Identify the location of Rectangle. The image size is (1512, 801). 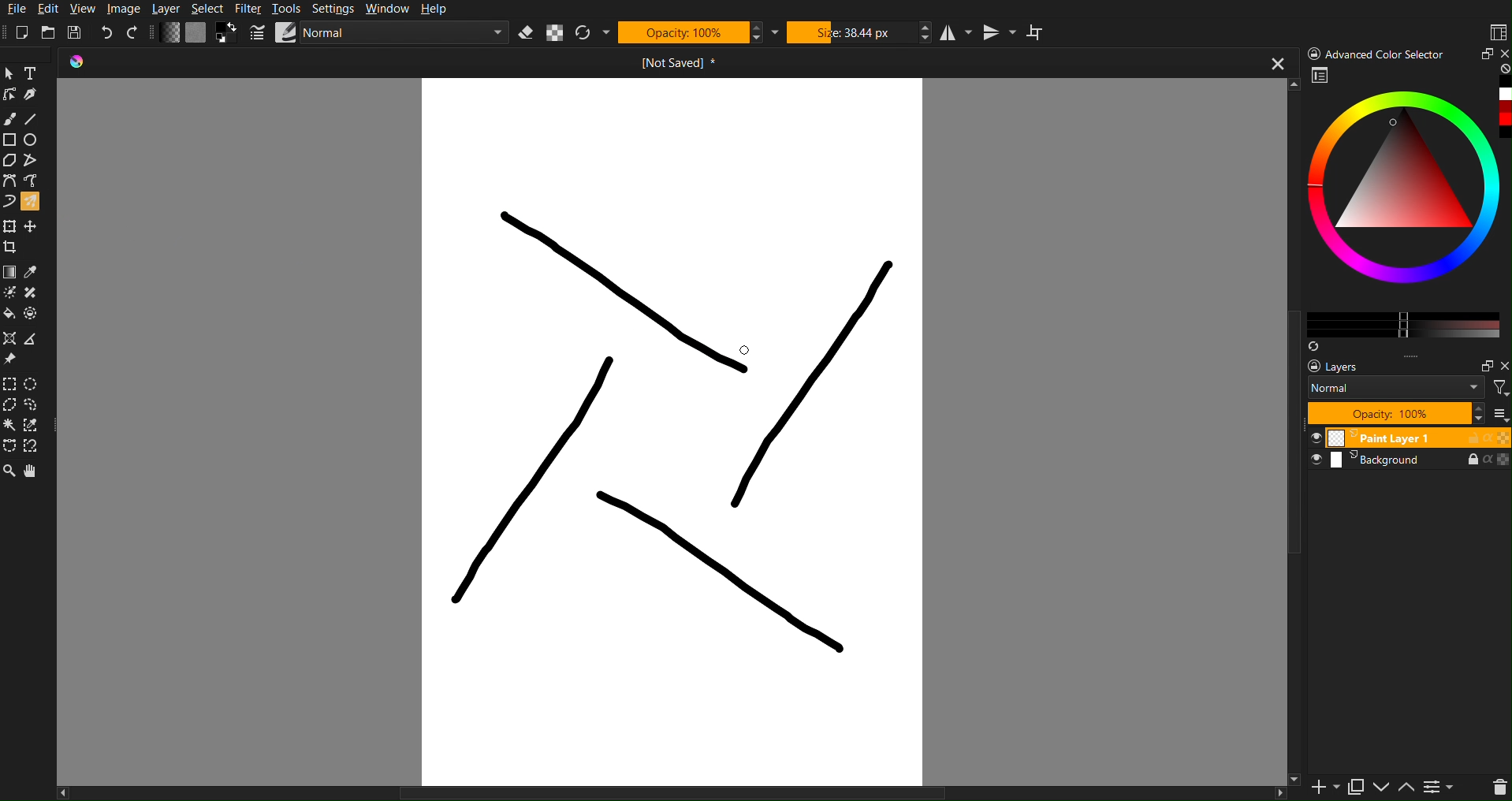
(10, 140).